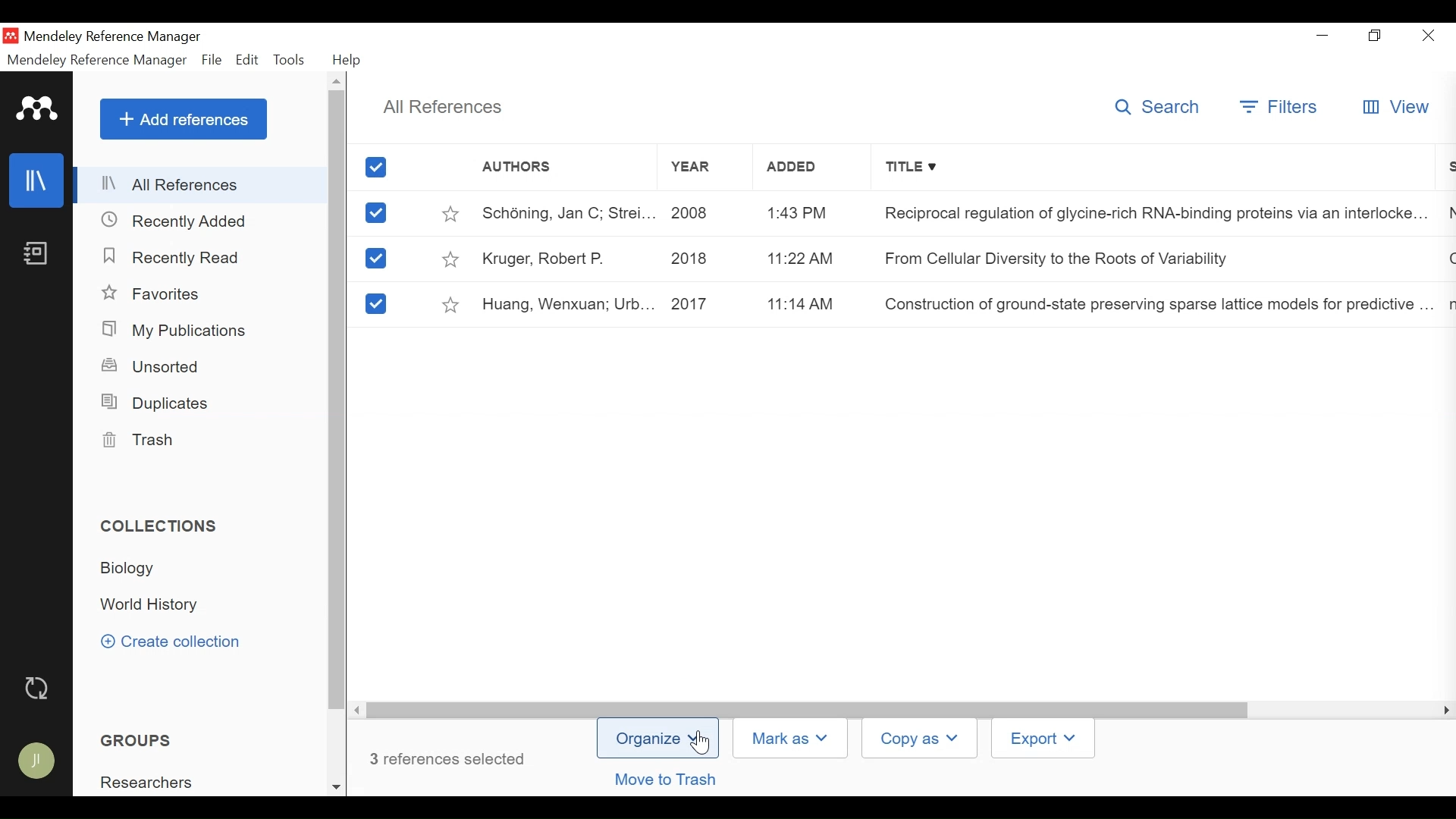 This screenshot has height=819, width=1456. What do you see at coordinates (376, 213) in the screenshot?
I see `(un)select` at bounding box center [376, 213].